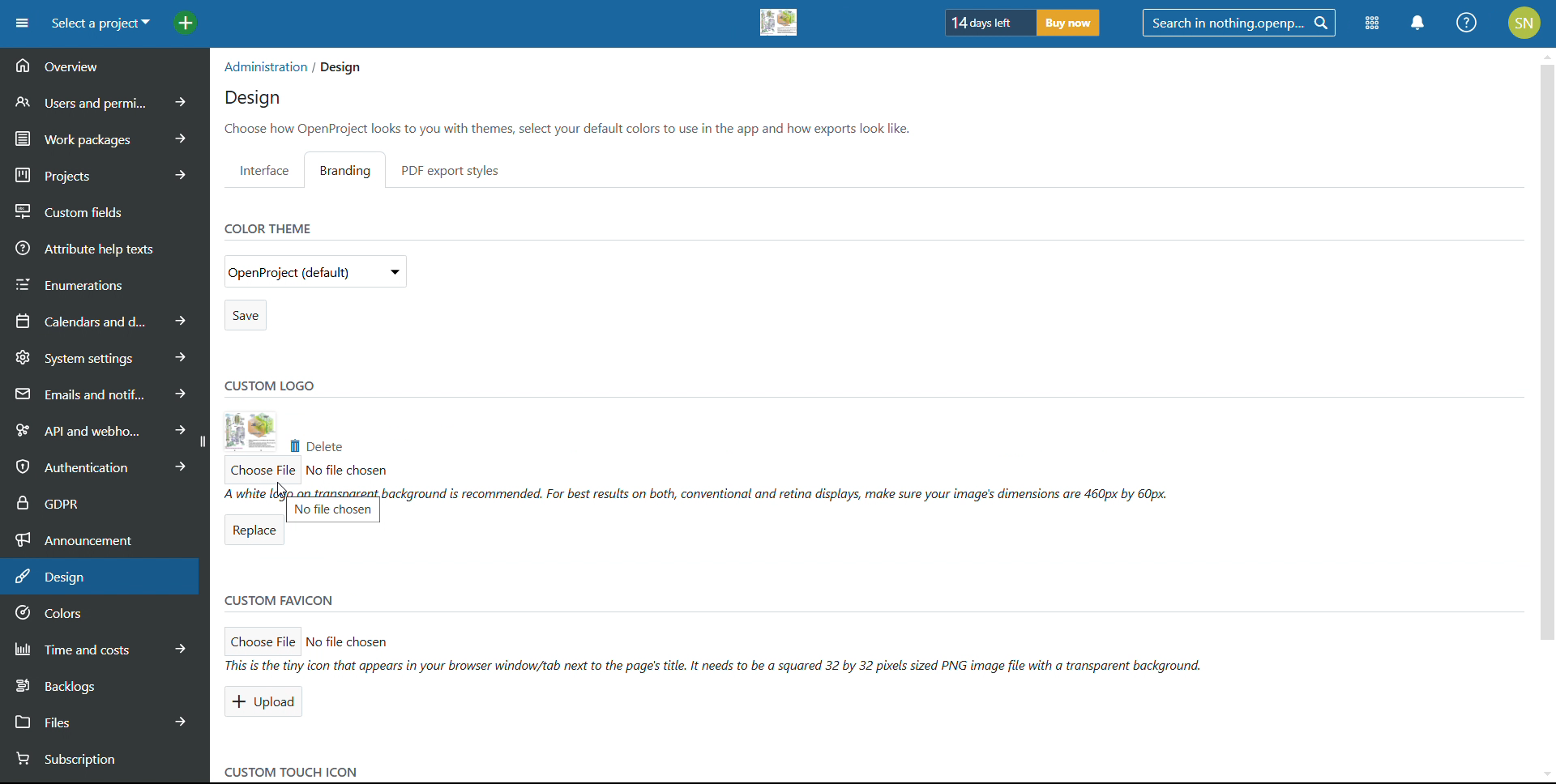 Image resolution: width=1556 pixels, height=784 pixels. I want to click on delete, so click(314, 445).